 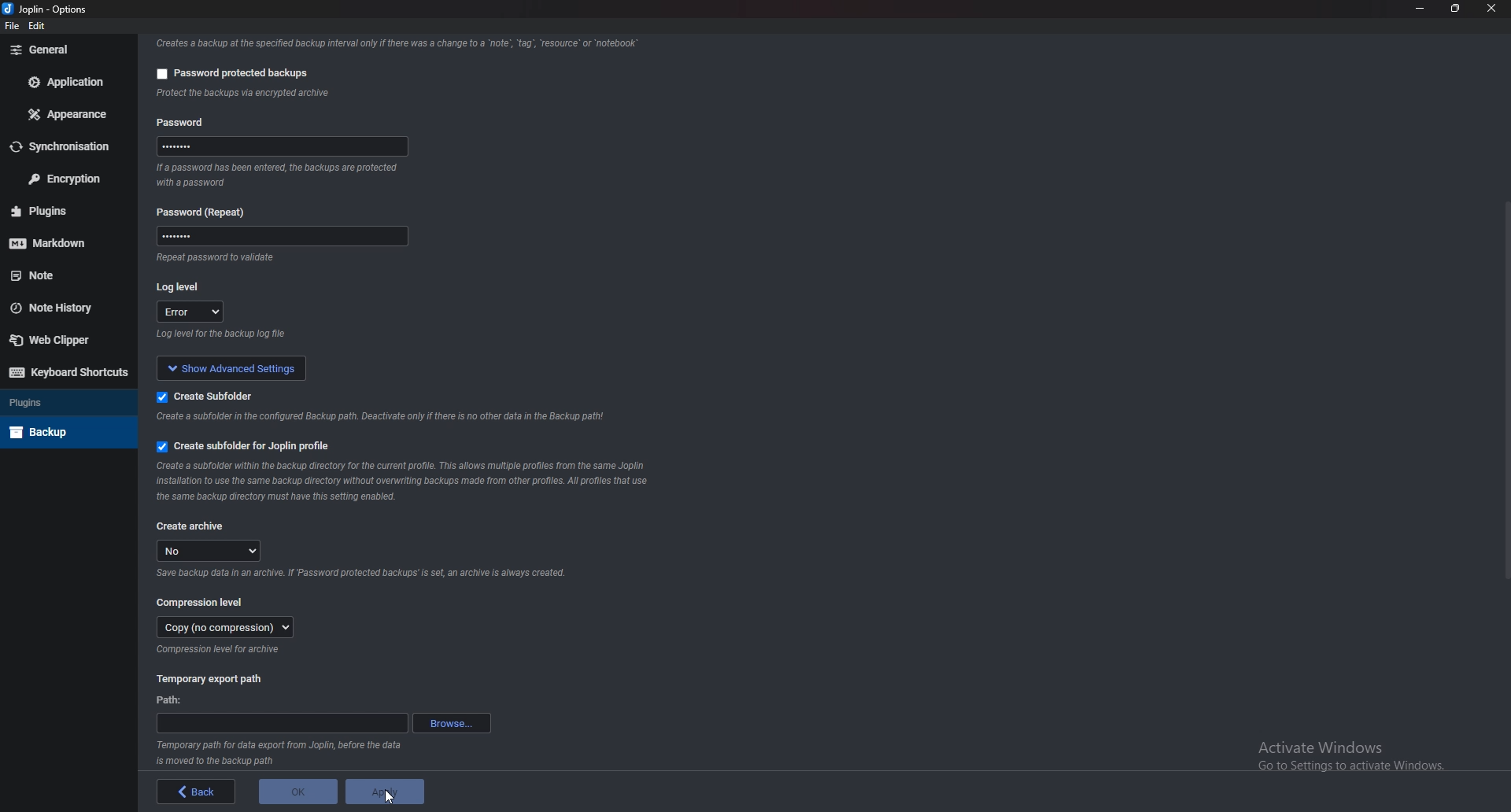 I want to click on info, so click(x=249, y=259).